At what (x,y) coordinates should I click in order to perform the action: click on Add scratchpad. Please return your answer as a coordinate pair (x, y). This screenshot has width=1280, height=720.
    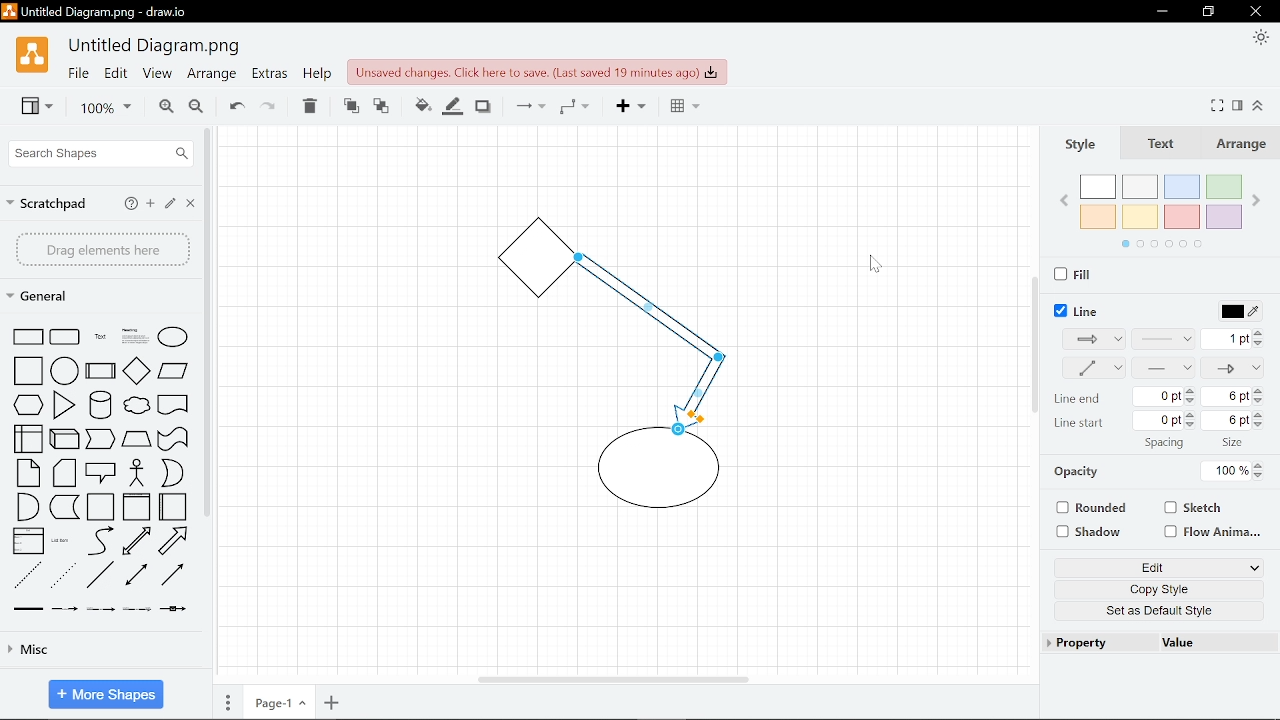
    Looking at the image, I should click on (151, 204).